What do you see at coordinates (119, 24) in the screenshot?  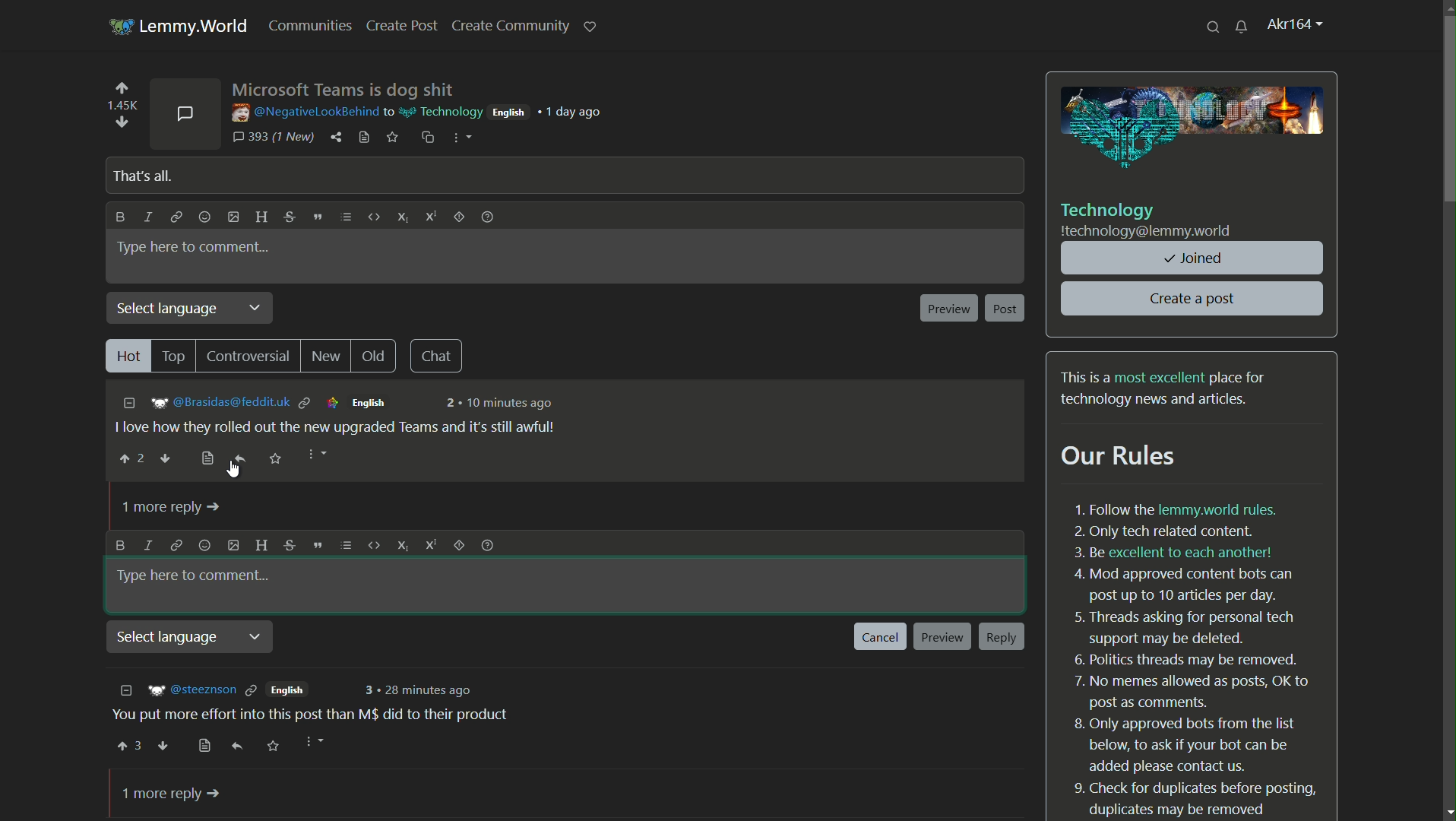 I see `server icon` at bounding box center [119, 24].